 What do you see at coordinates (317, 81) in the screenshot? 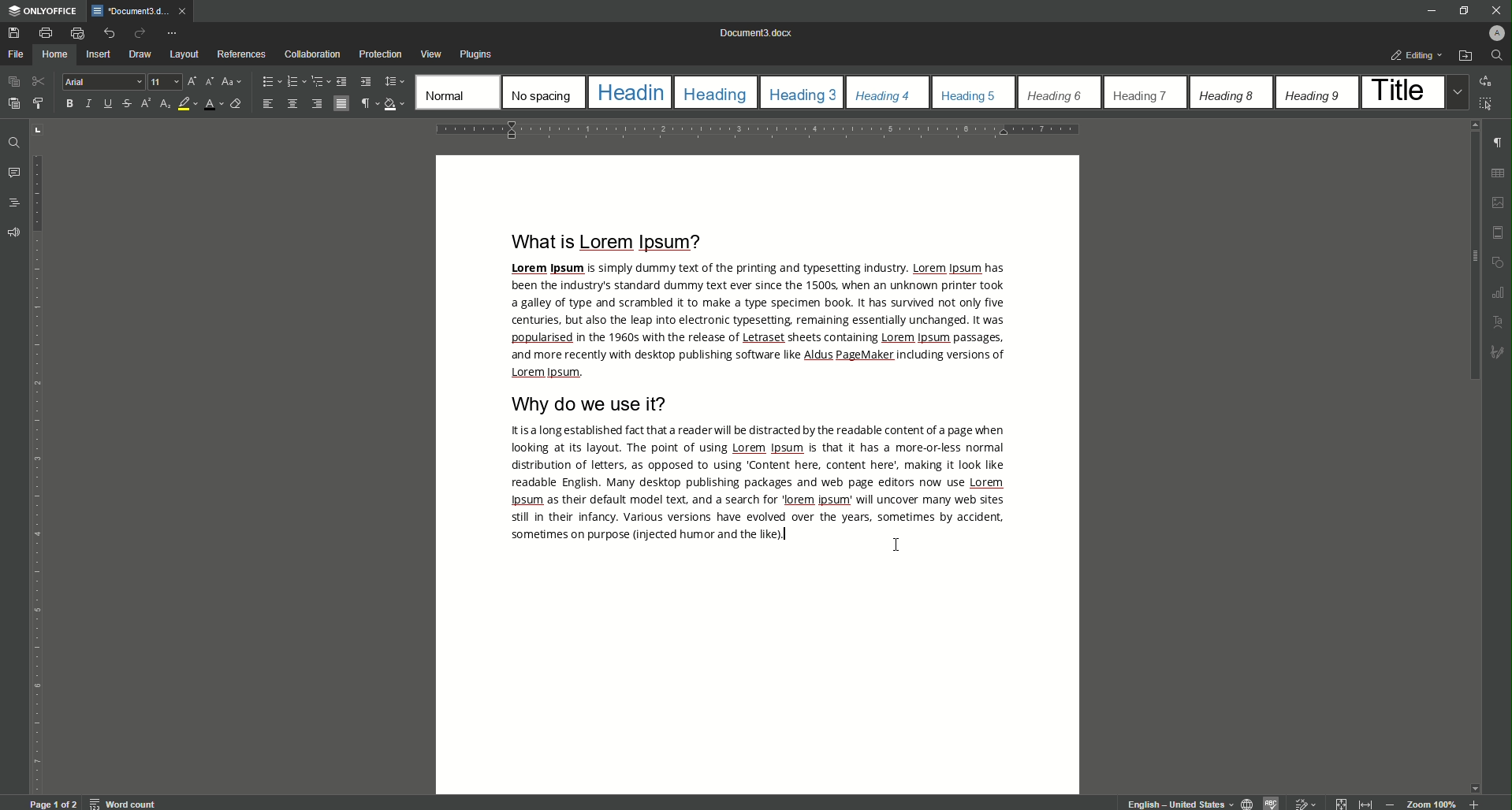
I see `Multilevel List` at bounding box center [317, 81].